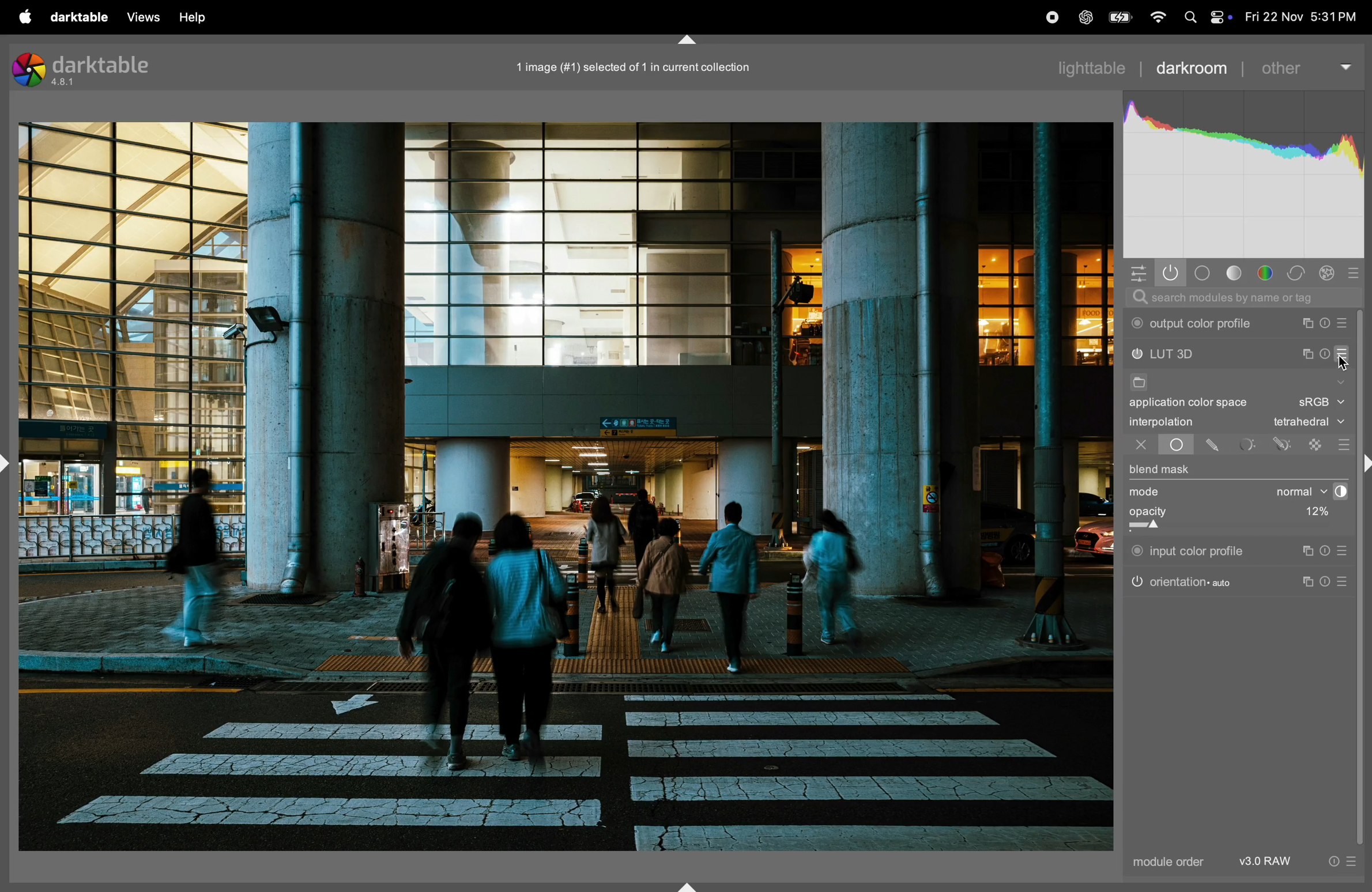 This screenshot has height=892, width=1372. I want to click on color, so click(1269, 274).